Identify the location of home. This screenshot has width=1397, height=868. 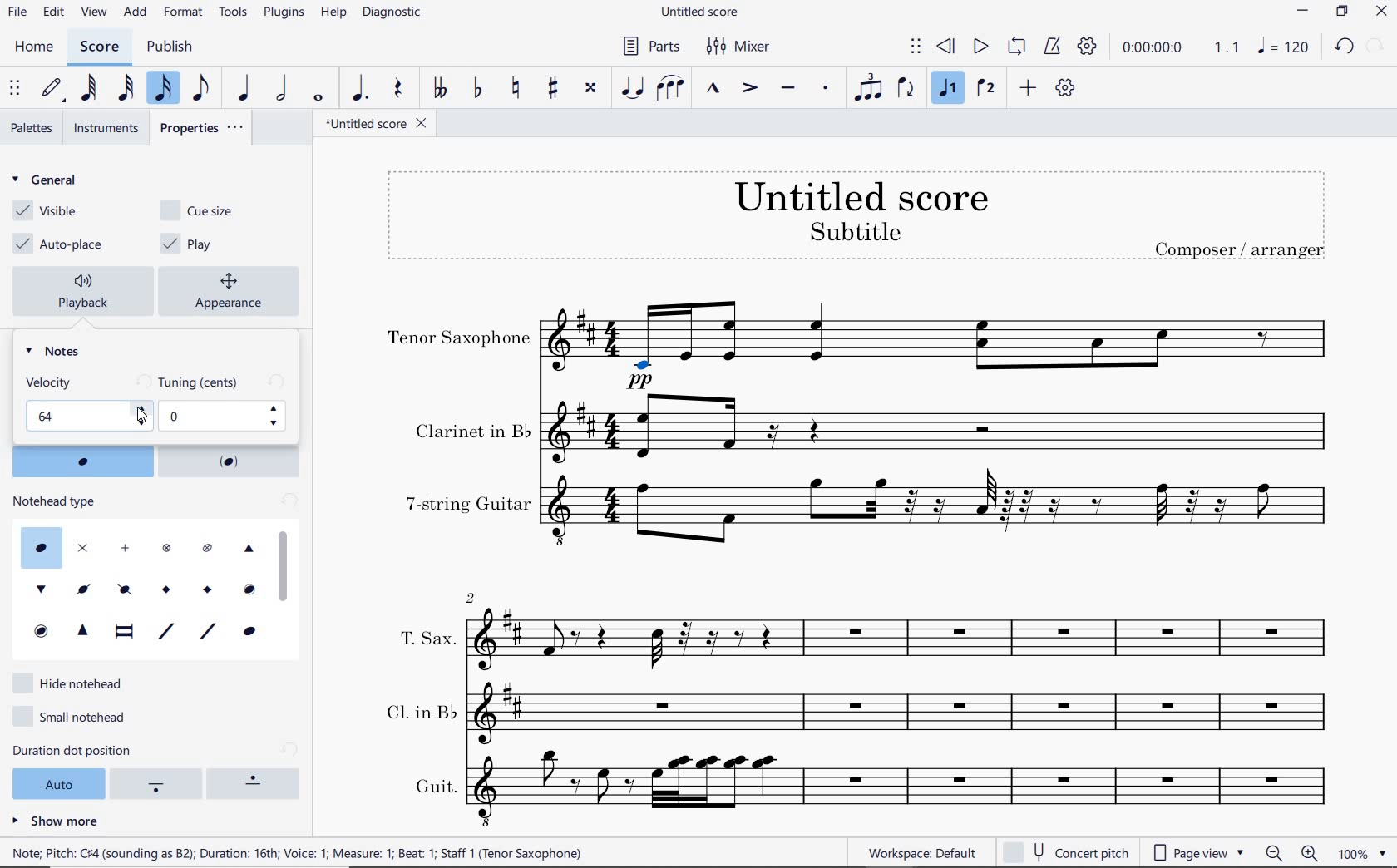
(33, 47).